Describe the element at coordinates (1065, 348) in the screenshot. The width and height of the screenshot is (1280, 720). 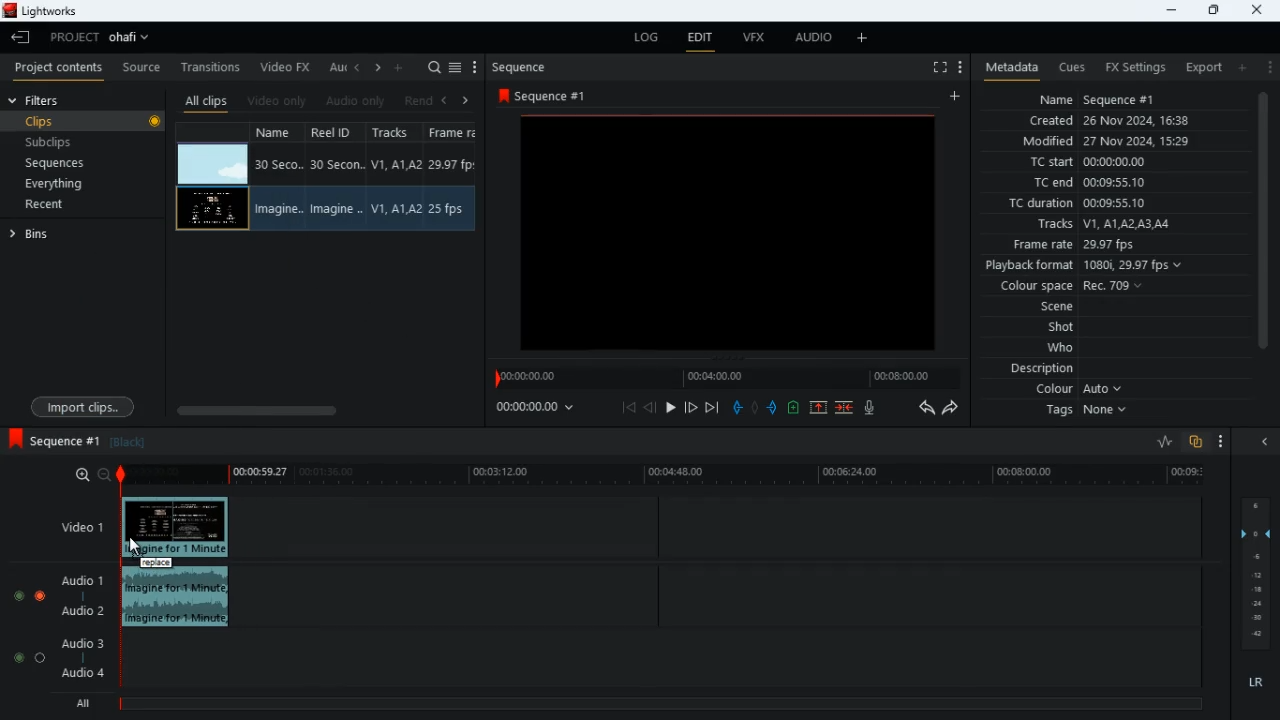
I see `who` at that location.